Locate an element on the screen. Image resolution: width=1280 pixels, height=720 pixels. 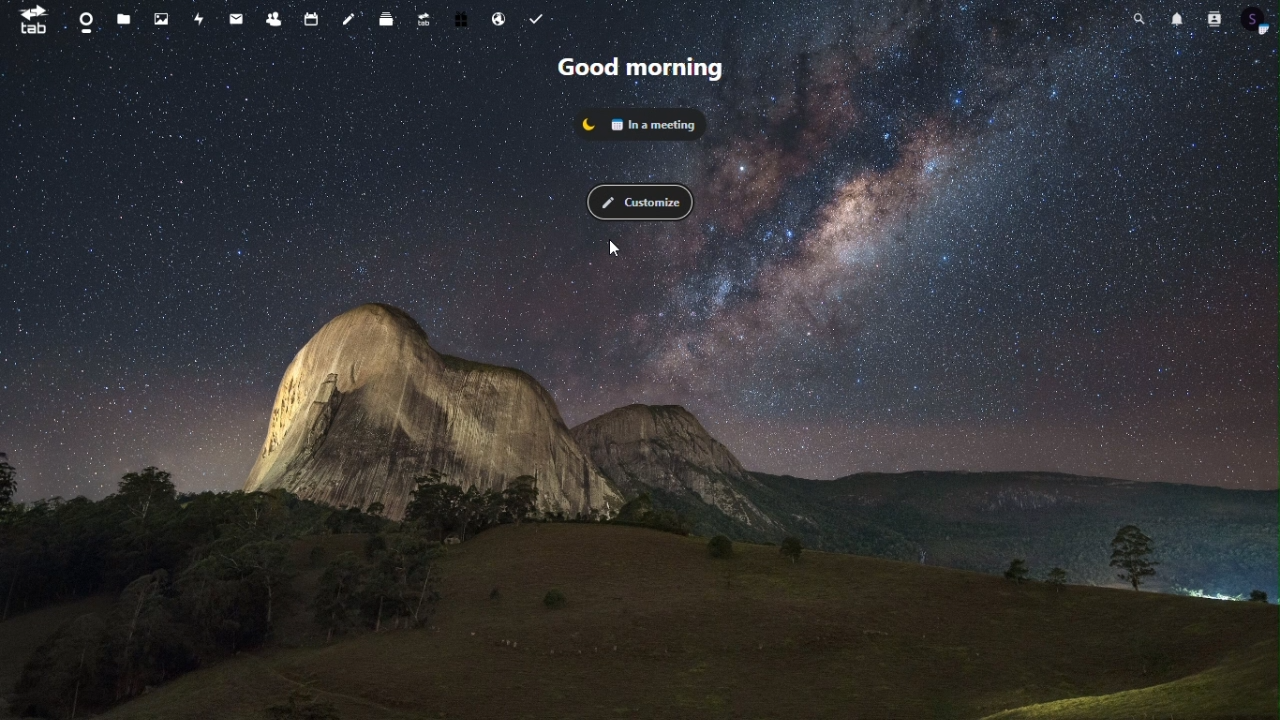
note is located at coordinates (349, 18).